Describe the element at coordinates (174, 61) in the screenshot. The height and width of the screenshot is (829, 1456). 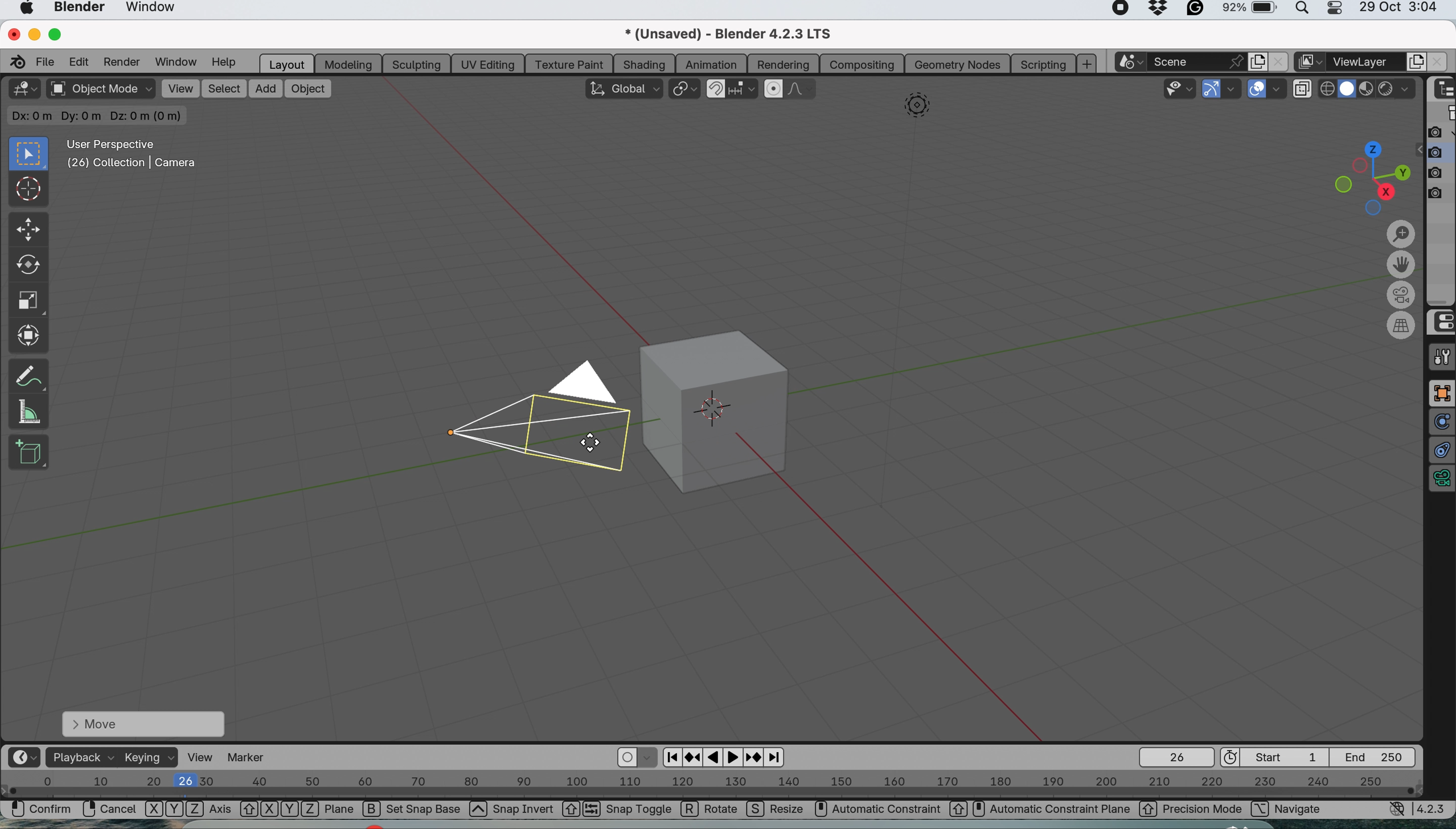
I see `window` at that location.